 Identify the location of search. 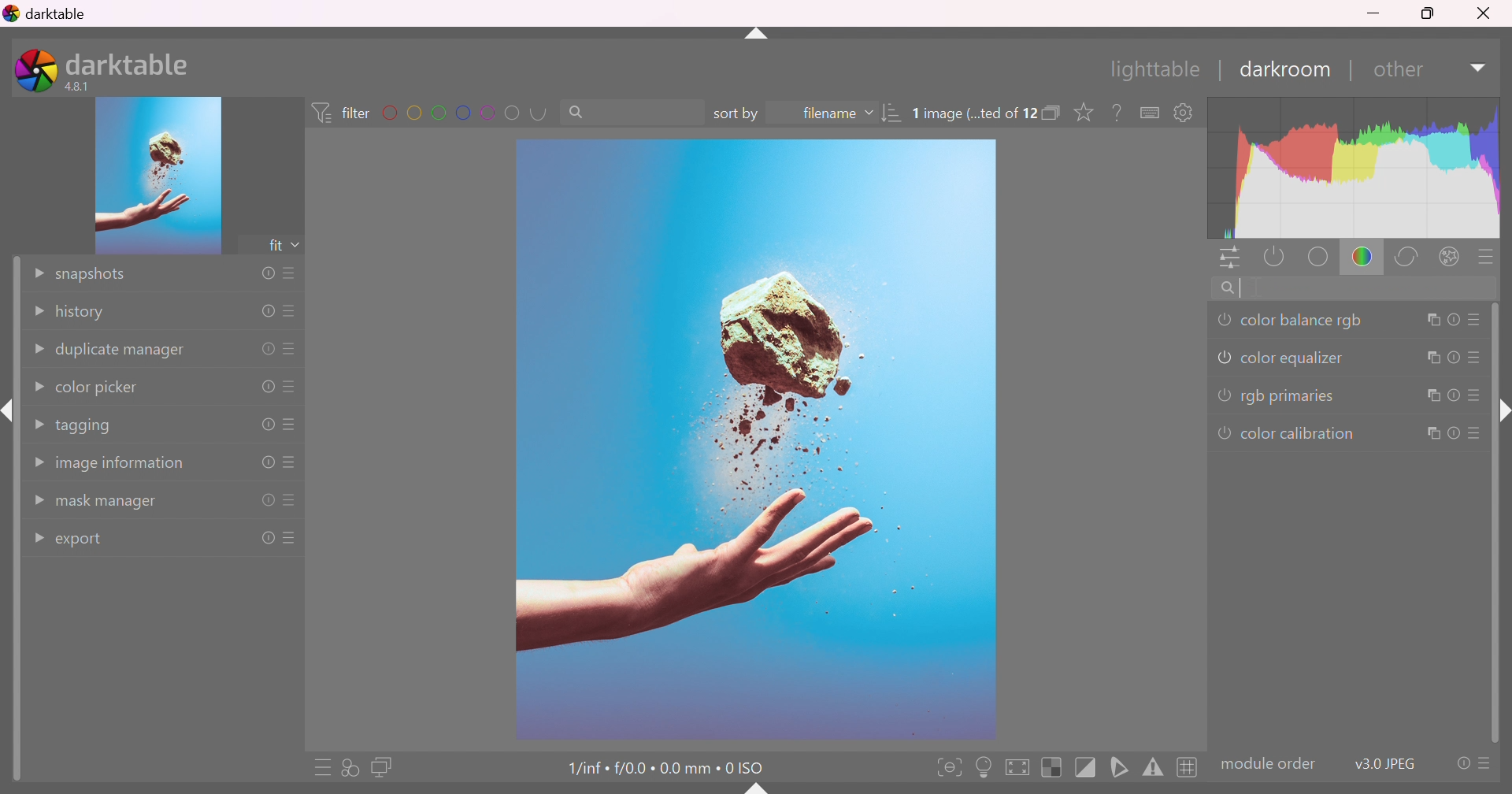
(613, 113).